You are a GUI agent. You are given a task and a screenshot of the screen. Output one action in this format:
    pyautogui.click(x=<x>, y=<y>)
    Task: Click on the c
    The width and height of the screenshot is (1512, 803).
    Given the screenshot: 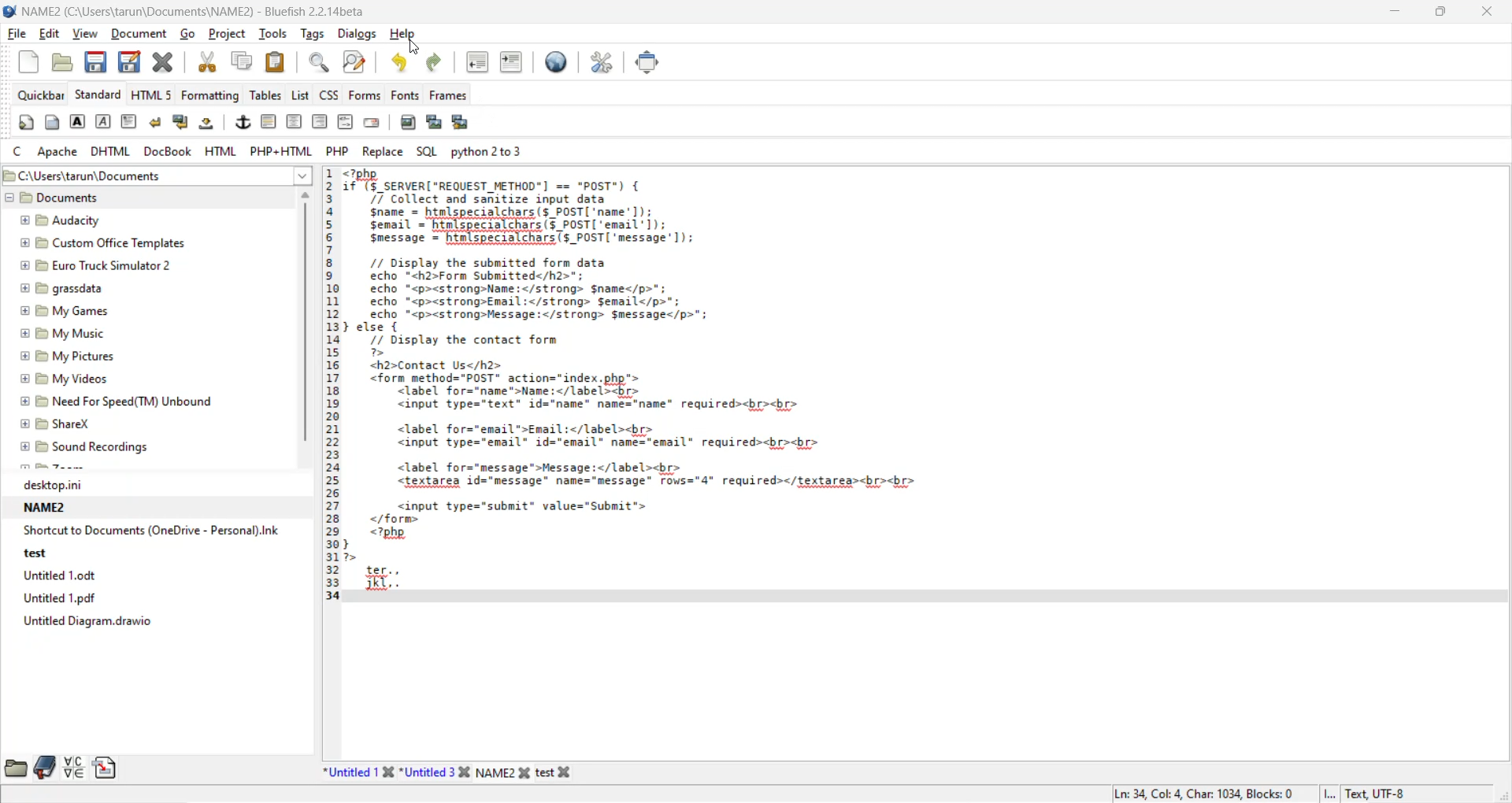 What is the action you would take?
    pyautogui.click(x=19, y=149)
    